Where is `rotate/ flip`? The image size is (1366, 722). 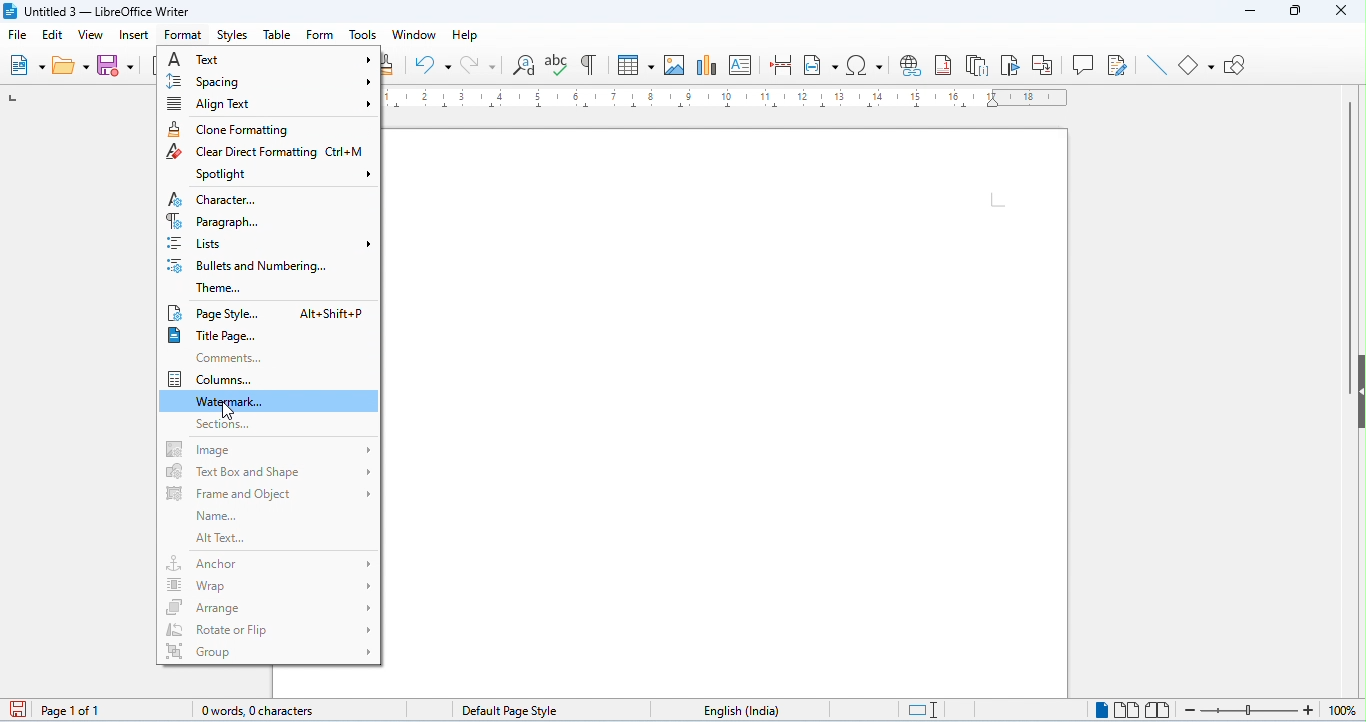
rotate/ flip is located at coordinates (268, 630).